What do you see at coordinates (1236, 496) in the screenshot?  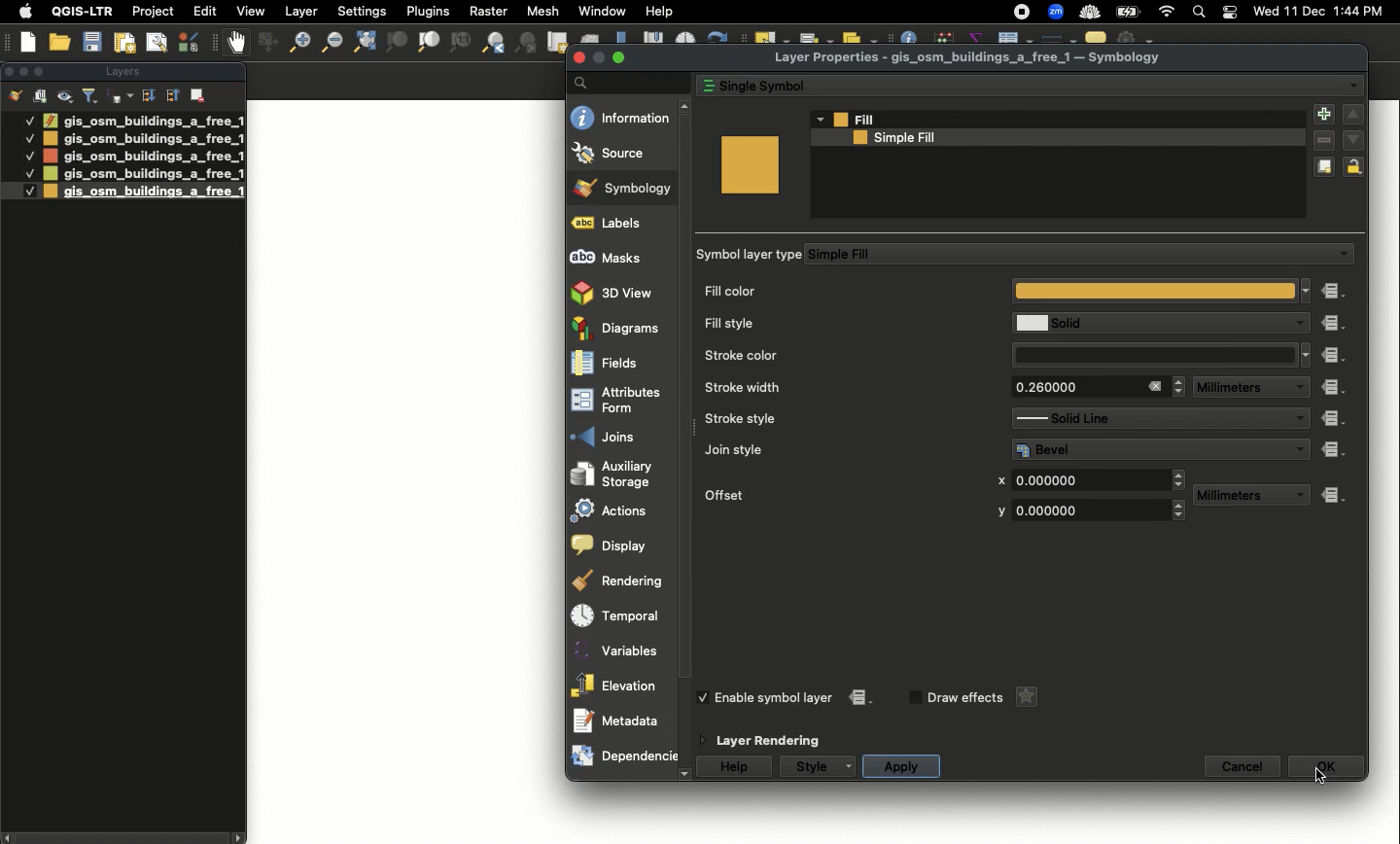 I see `Millimeters` at bounding box center [1236, 496].